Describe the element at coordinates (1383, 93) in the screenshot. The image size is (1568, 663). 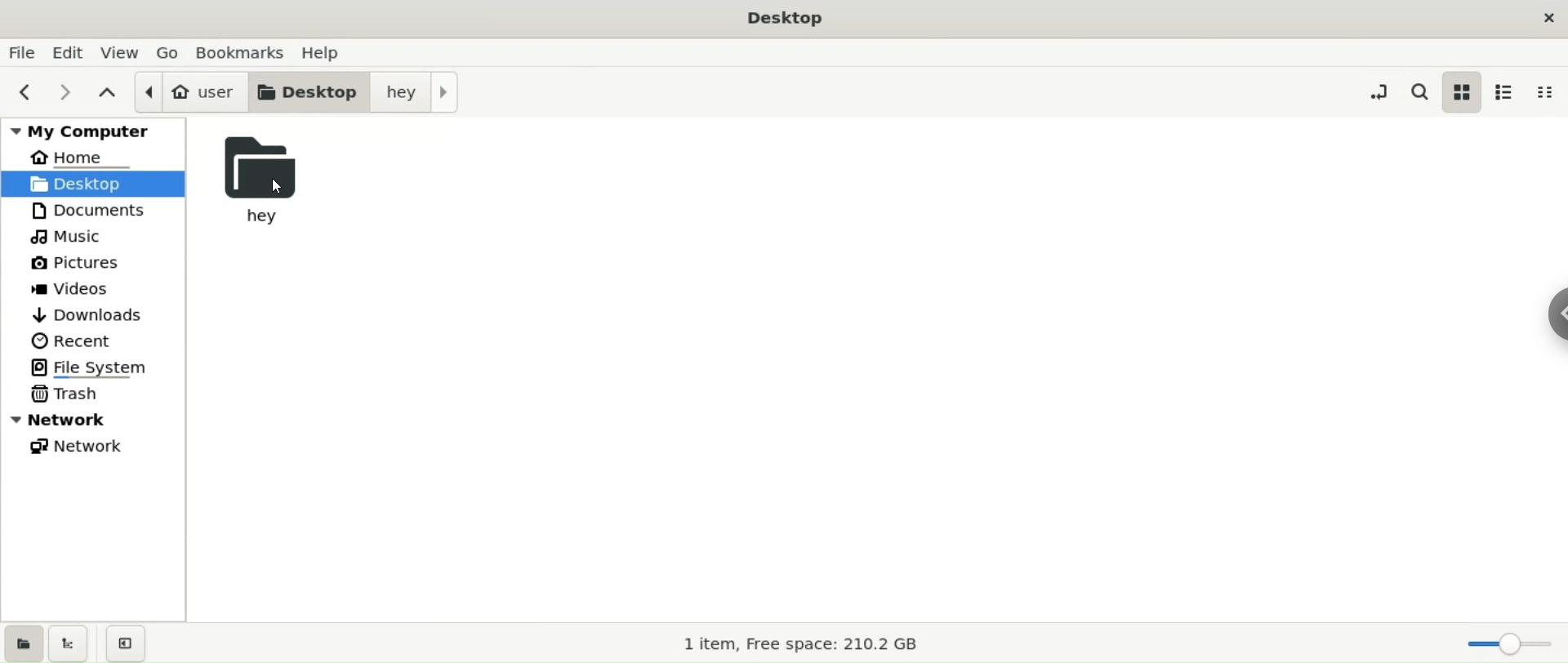
I see `toggle location entry` at that location.